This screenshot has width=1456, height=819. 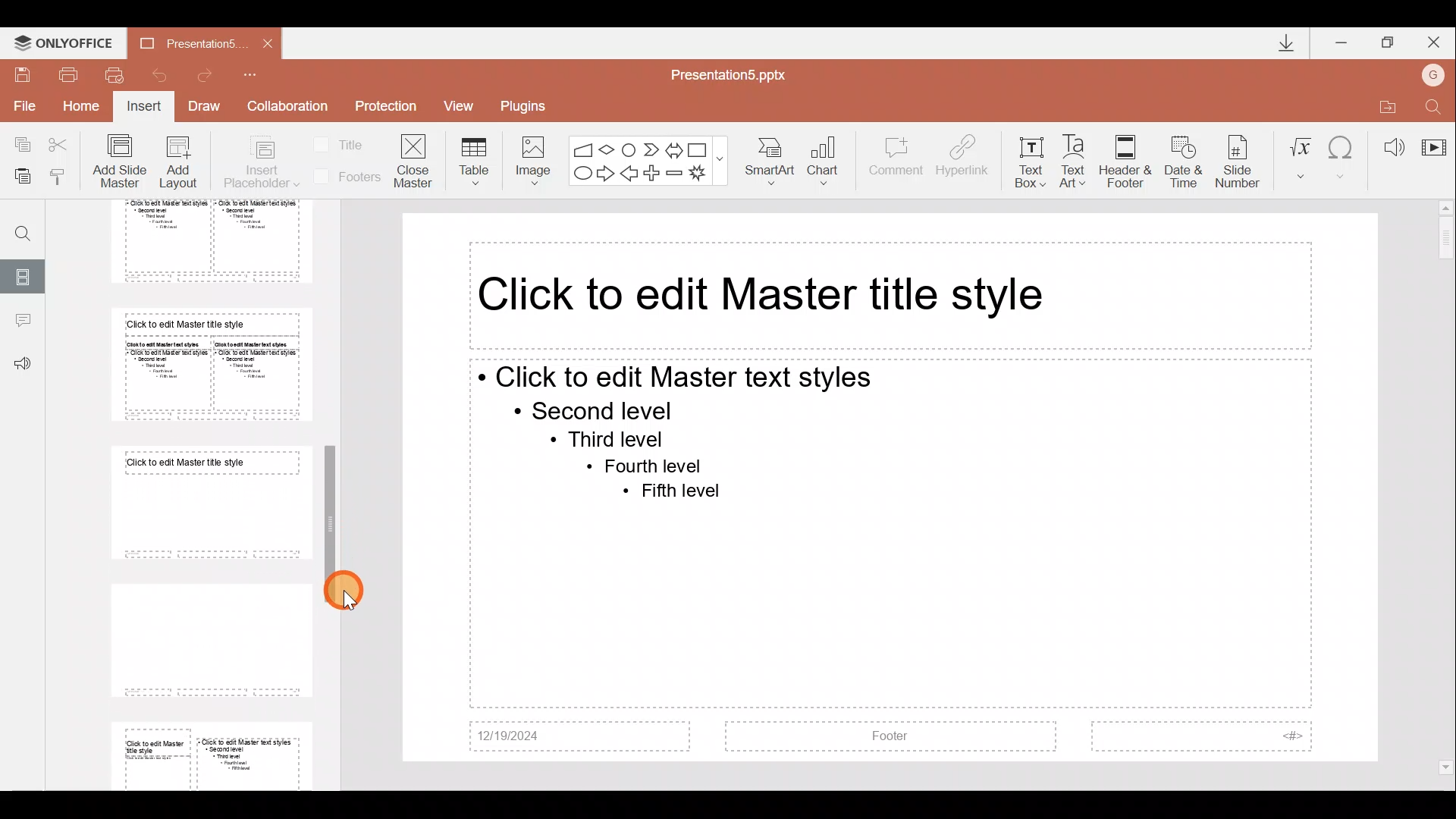 What do you see at coordinates (704, 174) in the screenshot?
I see `Explosion 1` at bounding box center [704, 174].